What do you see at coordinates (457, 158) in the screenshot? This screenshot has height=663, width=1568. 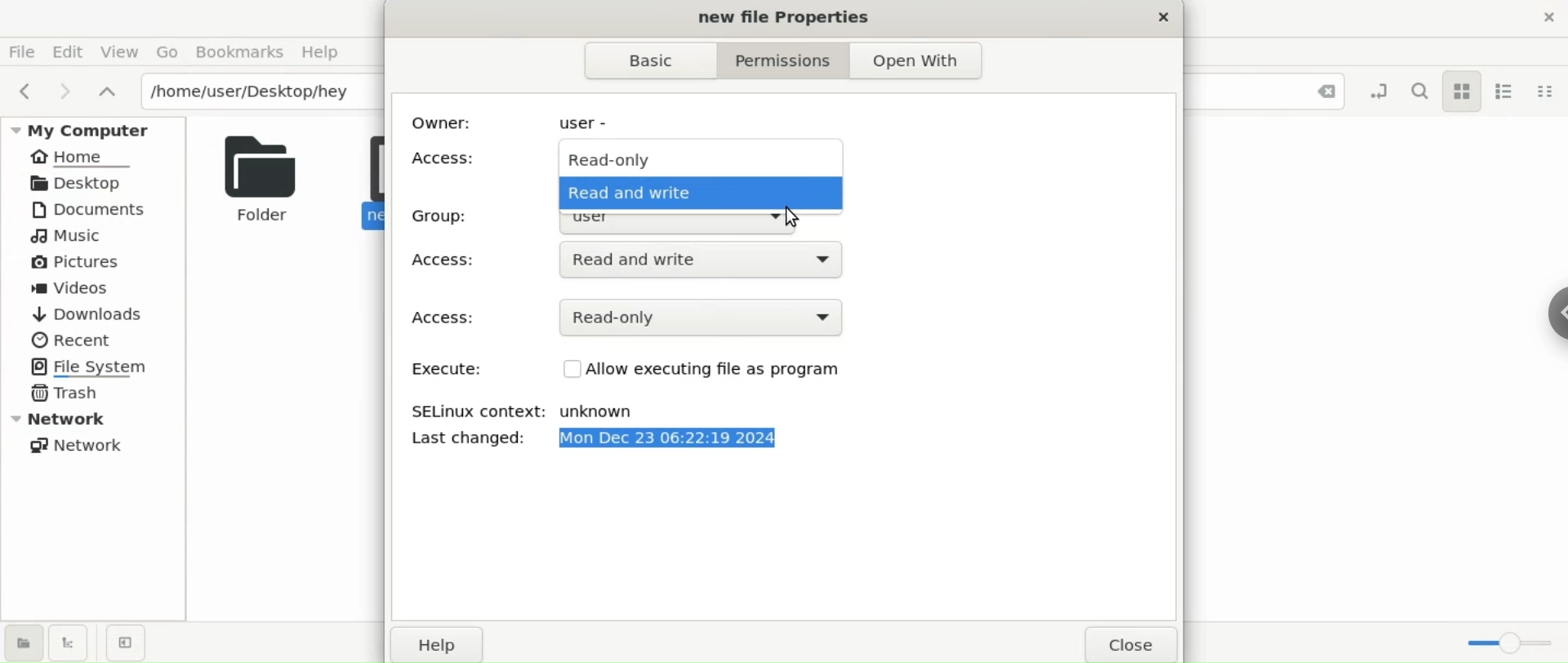 I see `Access` at bounding box center [457, 158].